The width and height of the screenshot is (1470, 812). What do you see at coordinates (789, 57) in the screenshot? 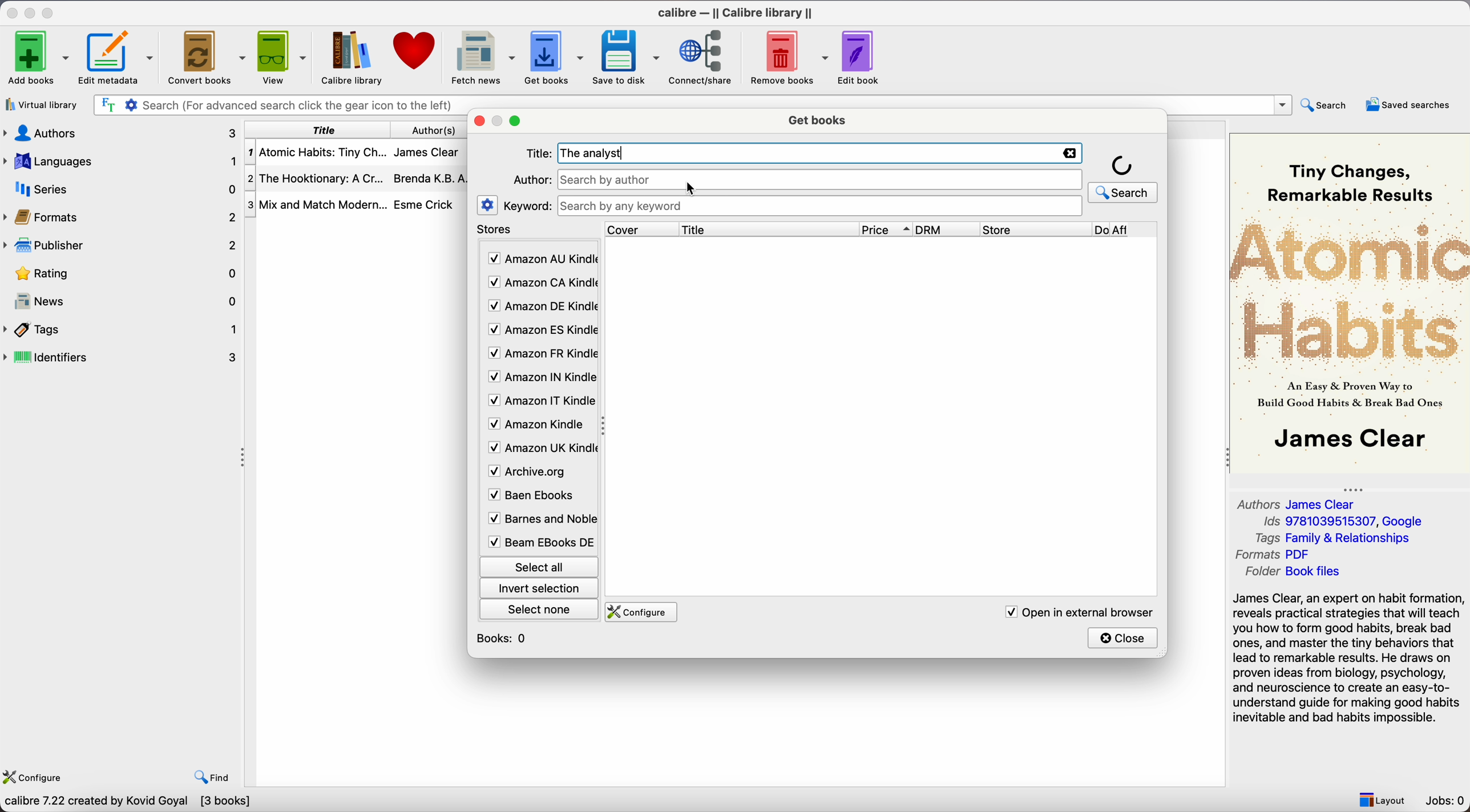
I see `remove books` at bounding box center [789, 57].